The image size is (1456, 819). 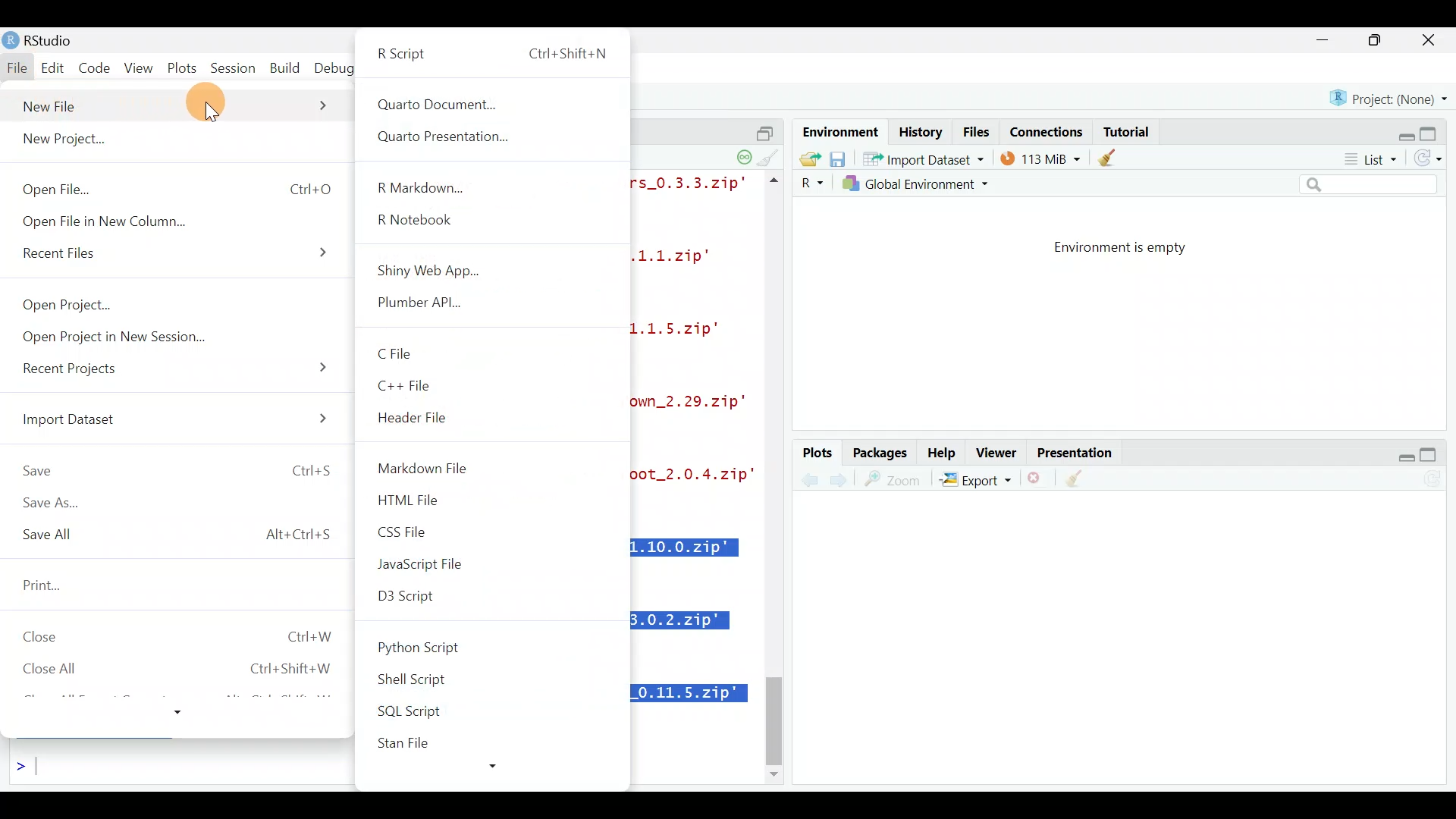 I want to click on RStudio, so click(x=45, y=40).